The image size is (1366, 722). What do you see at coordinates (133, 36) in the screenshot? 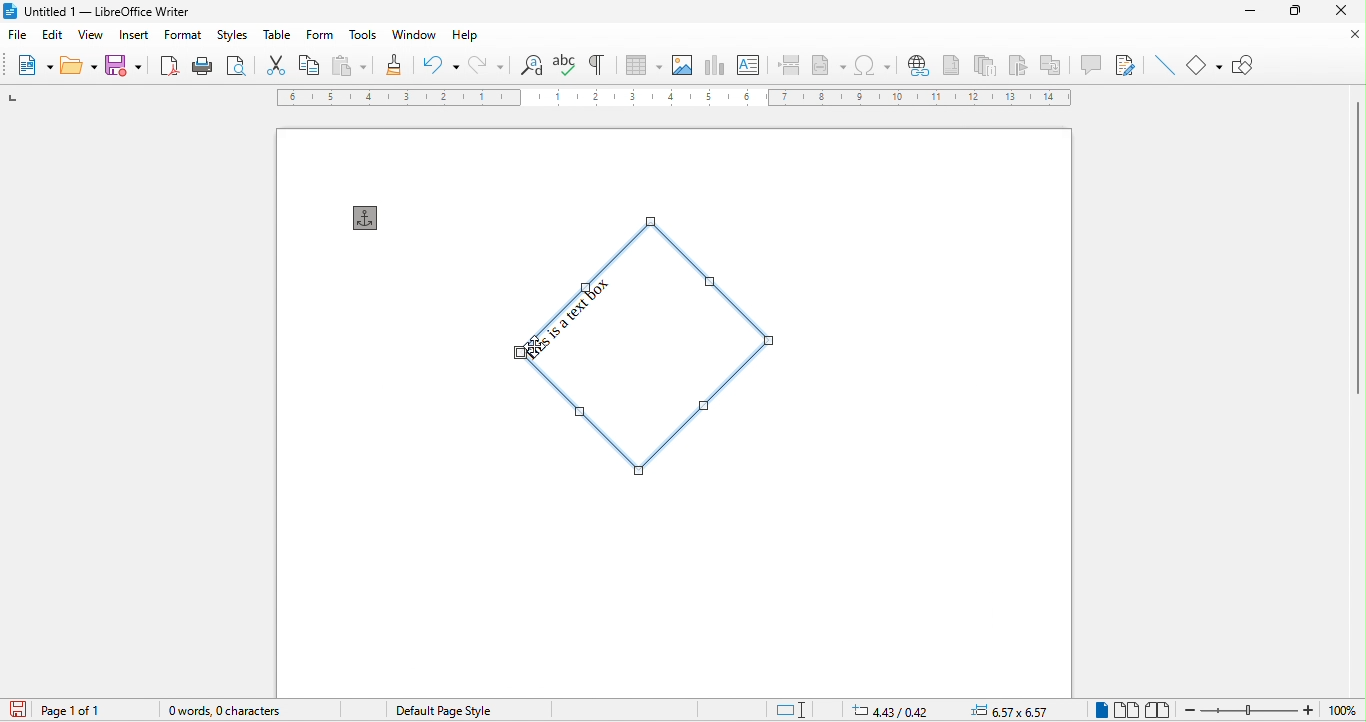
I see `insert` at bounding box center [133, 36].